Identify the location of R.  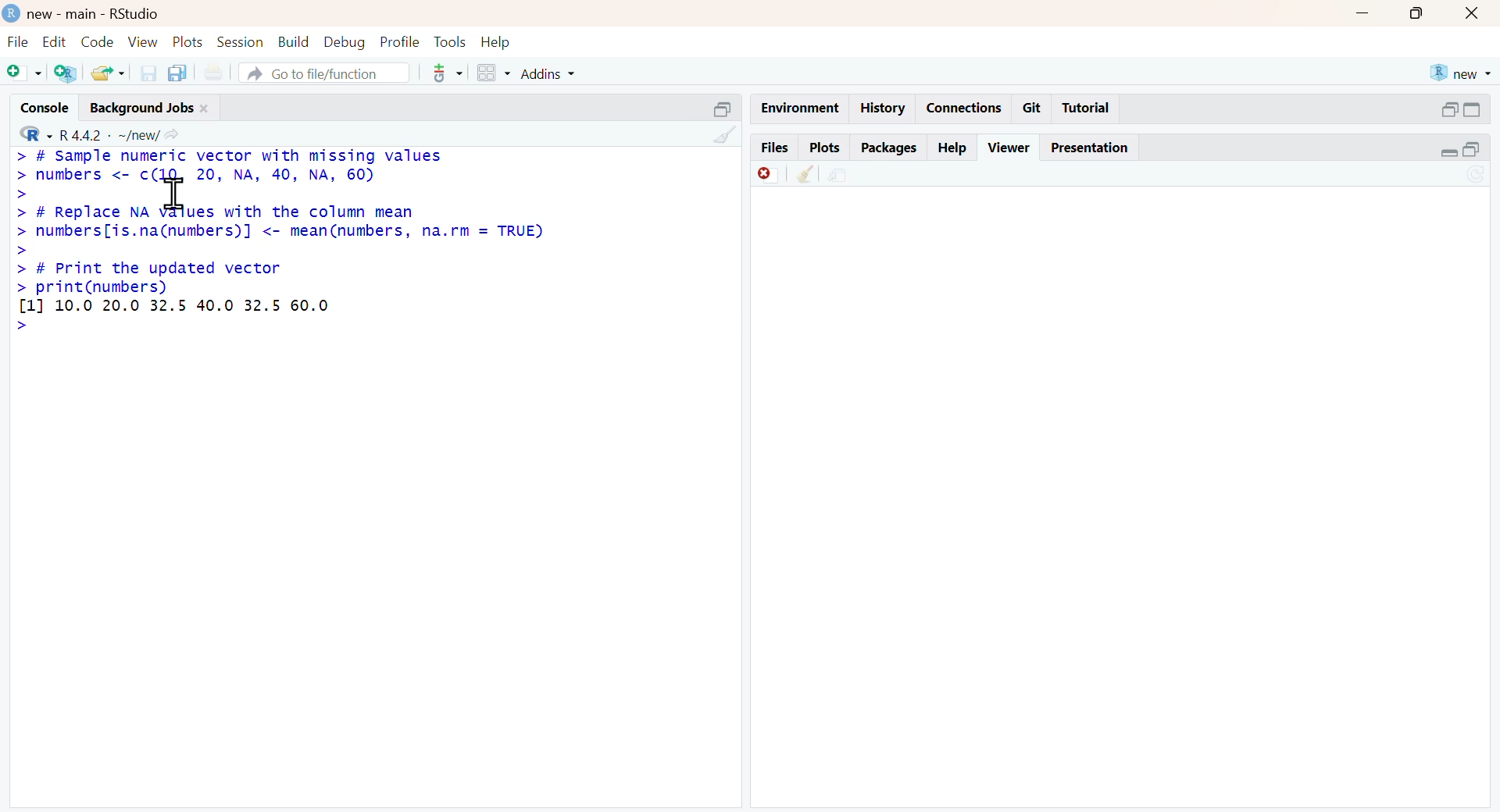
(37, 134).